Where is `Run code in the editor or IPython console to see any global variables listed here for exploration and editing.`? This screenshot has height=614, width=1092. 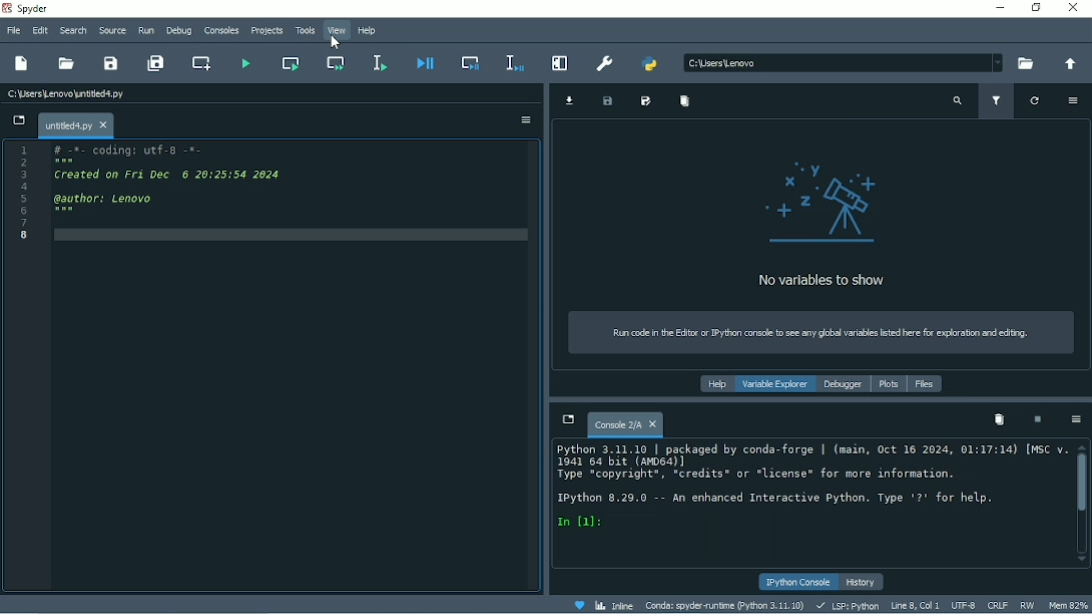
Run code in the editor or IPython console to see any global variables listed here for exploration and editing. is located at coordinates (823, 332).